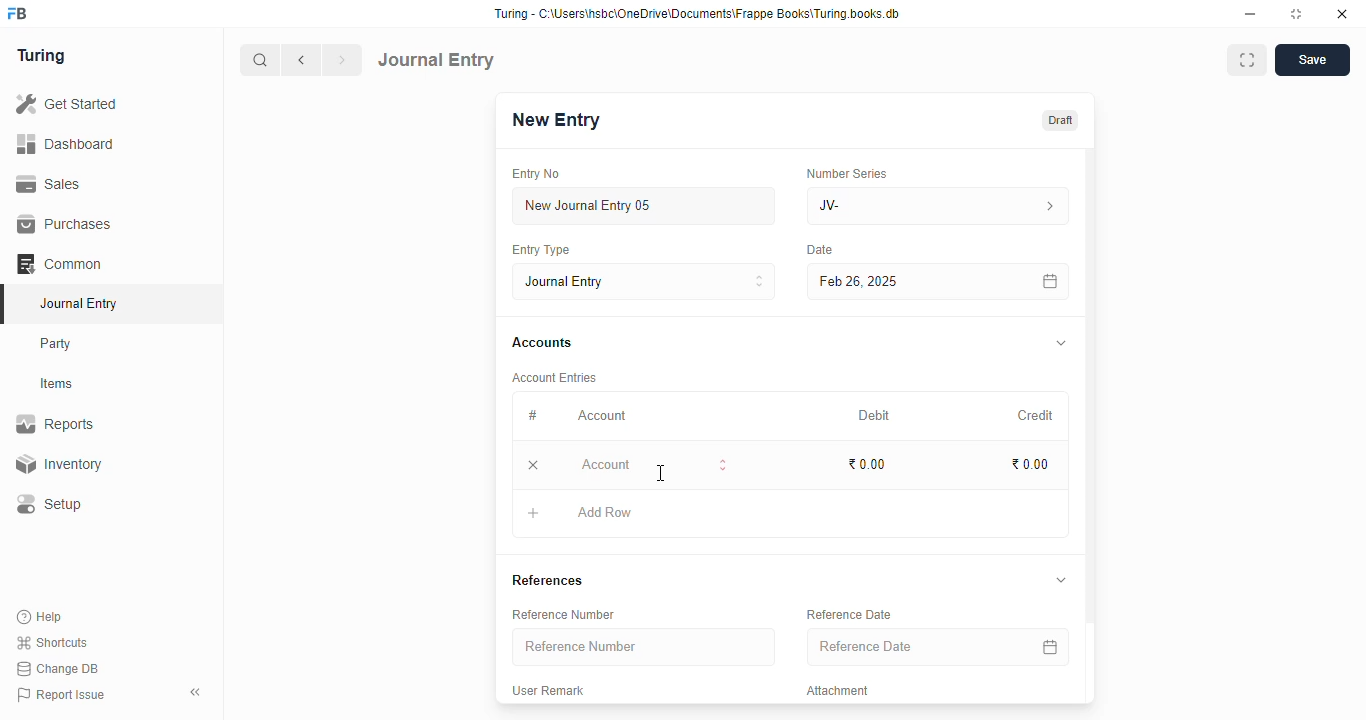 The width and height of the screenshot is (1366, 720). Describe the element at coordinates (548, 691) in the screenshot. I see `user remark` at that location.